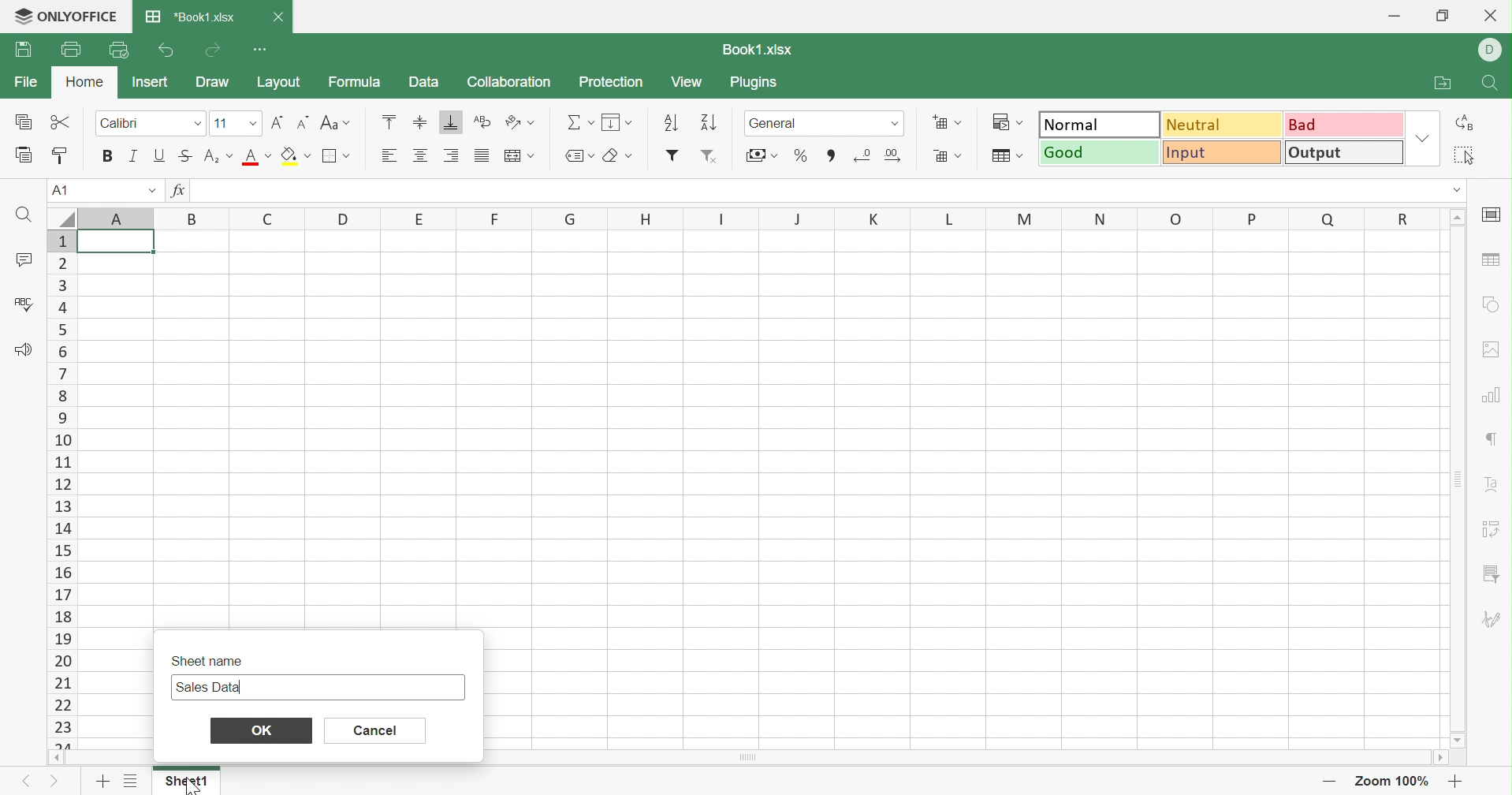  Describe the element at coordinates (205, 660) in the screenshot. I see `Sheet name` at that location.